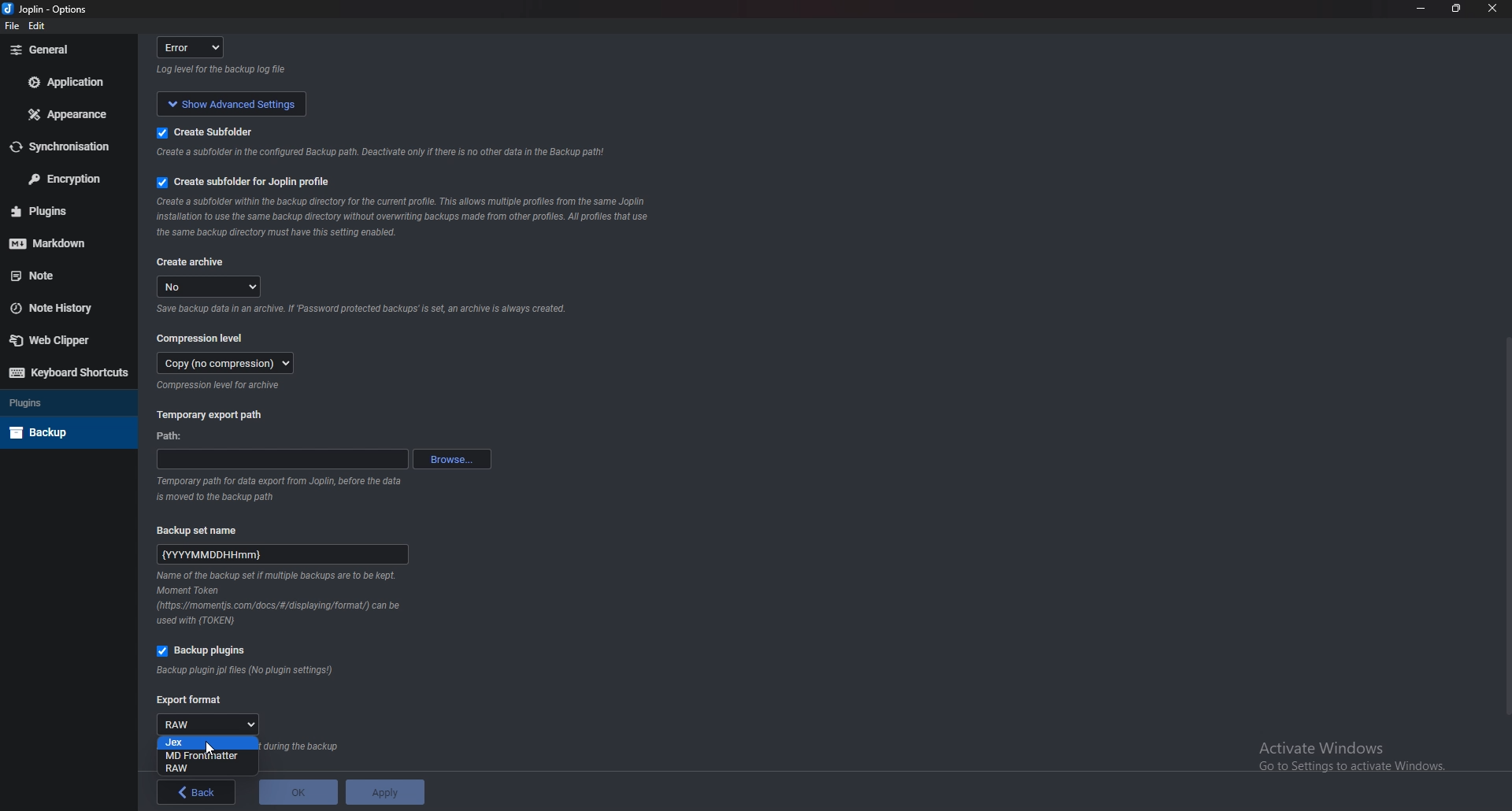 This screenshot has height=811, width=1512. Describe the element at coordinates (65, 178) in the screenshot. I see `Encryption` at that location.